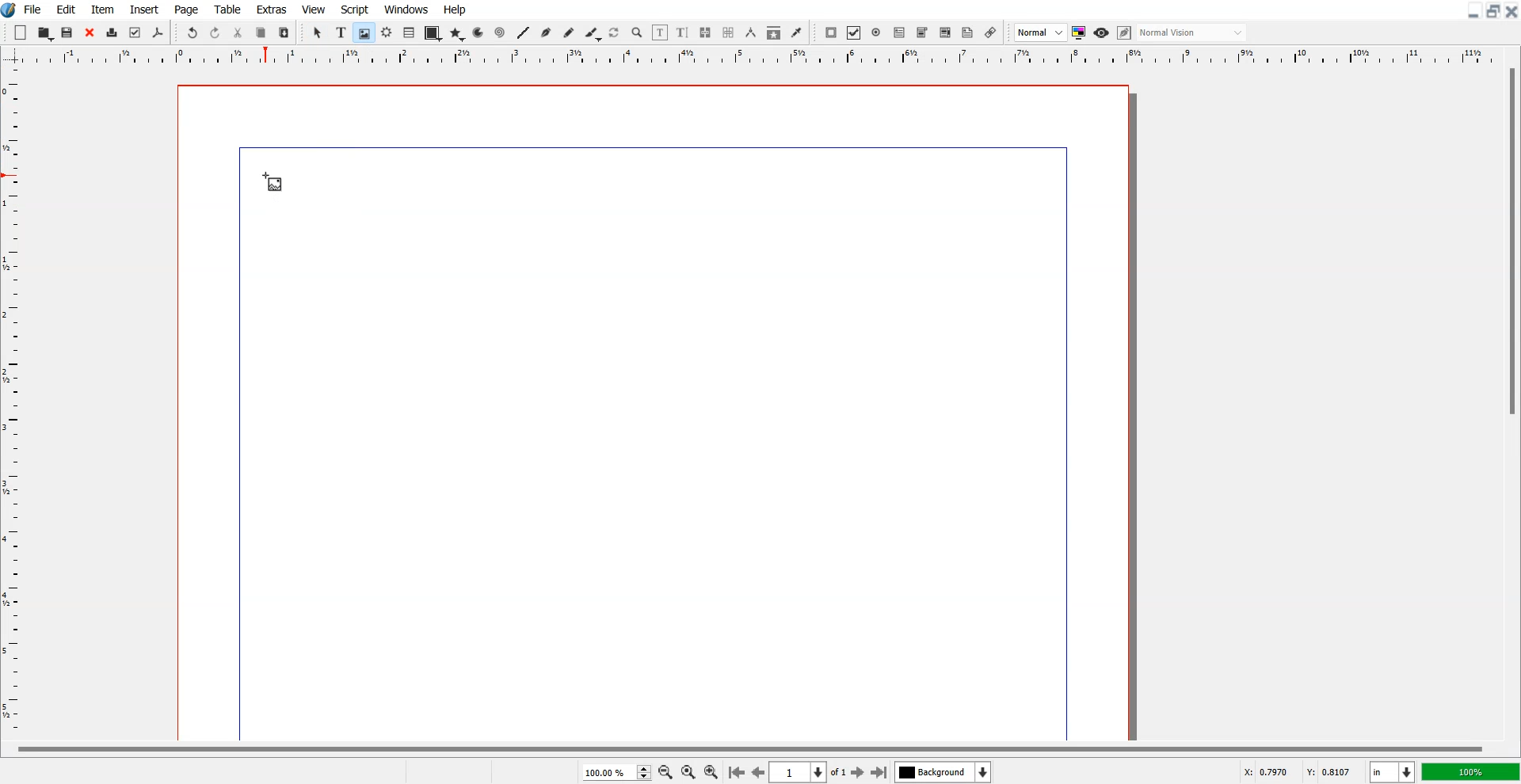  I want to click on Shape, so click(432, 34).